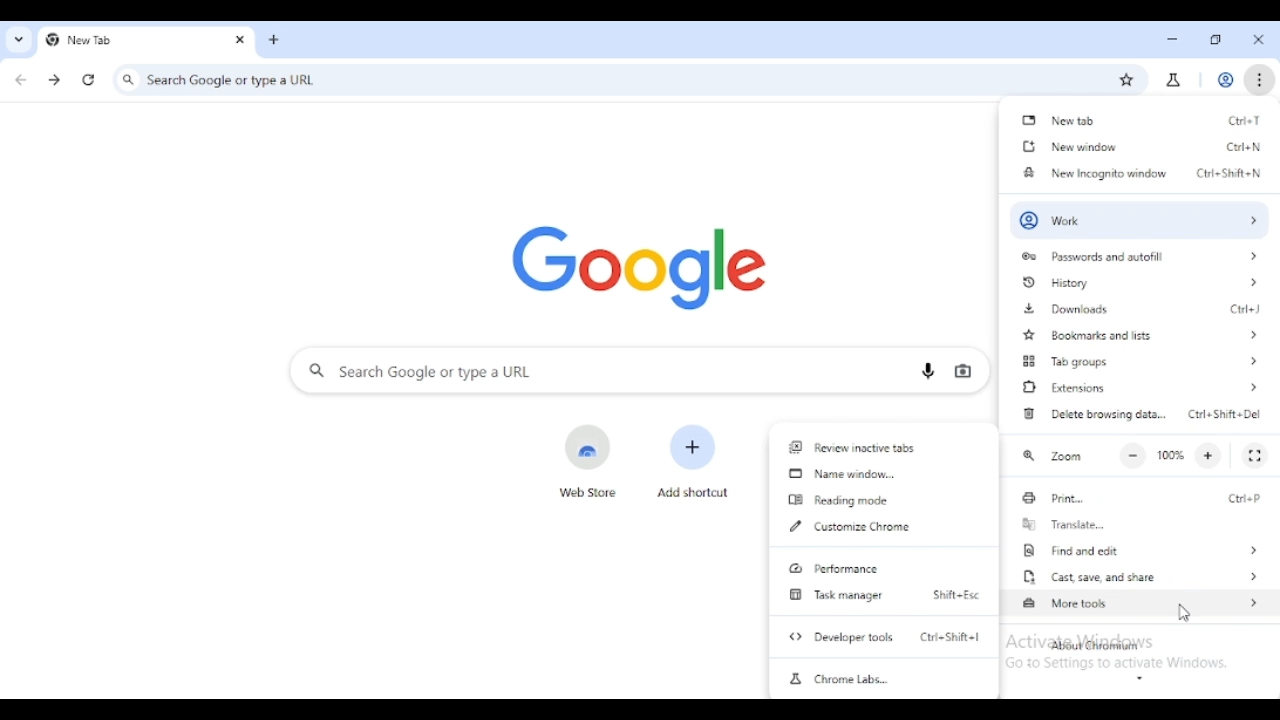 This screenshot has height=720, width=1280. Describe the element at coordinates (20, 81) in the screenshot. I see `click to go back` at that location.